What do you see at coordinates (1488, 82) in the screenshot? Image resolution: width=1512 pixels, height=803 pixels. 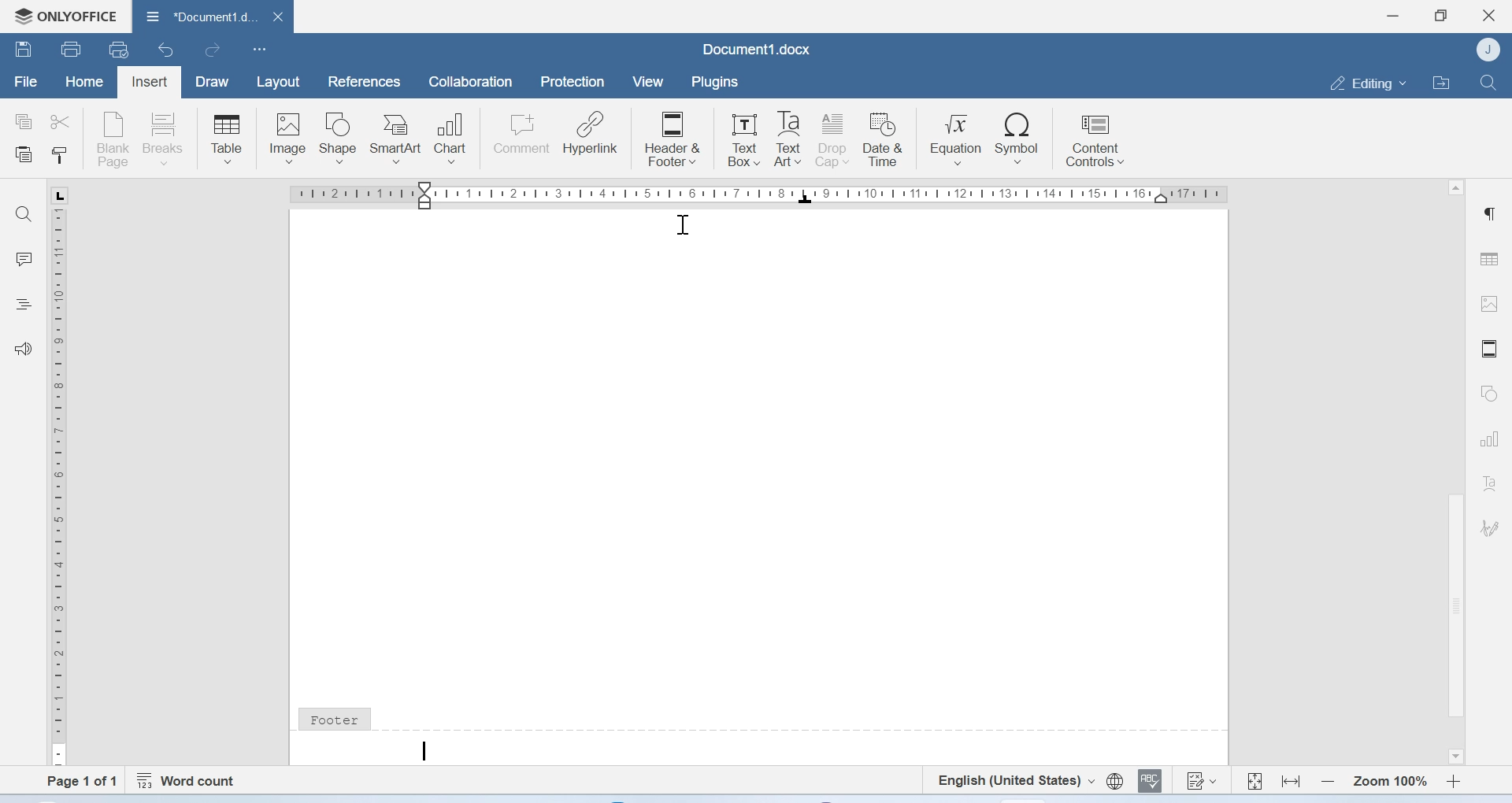 I see `Find` at bounding box center [1488, 82].